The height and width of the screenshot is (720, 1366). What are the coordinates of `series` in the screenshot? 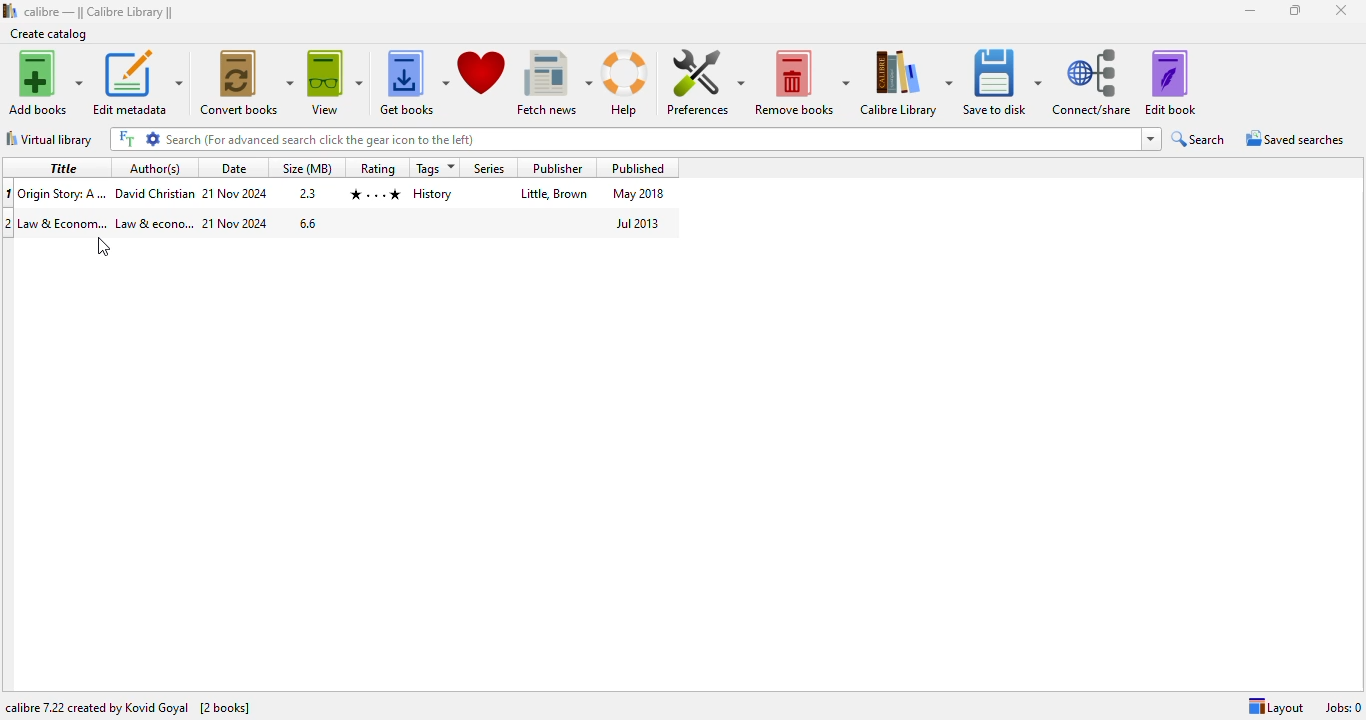 It's located at (489, 167).